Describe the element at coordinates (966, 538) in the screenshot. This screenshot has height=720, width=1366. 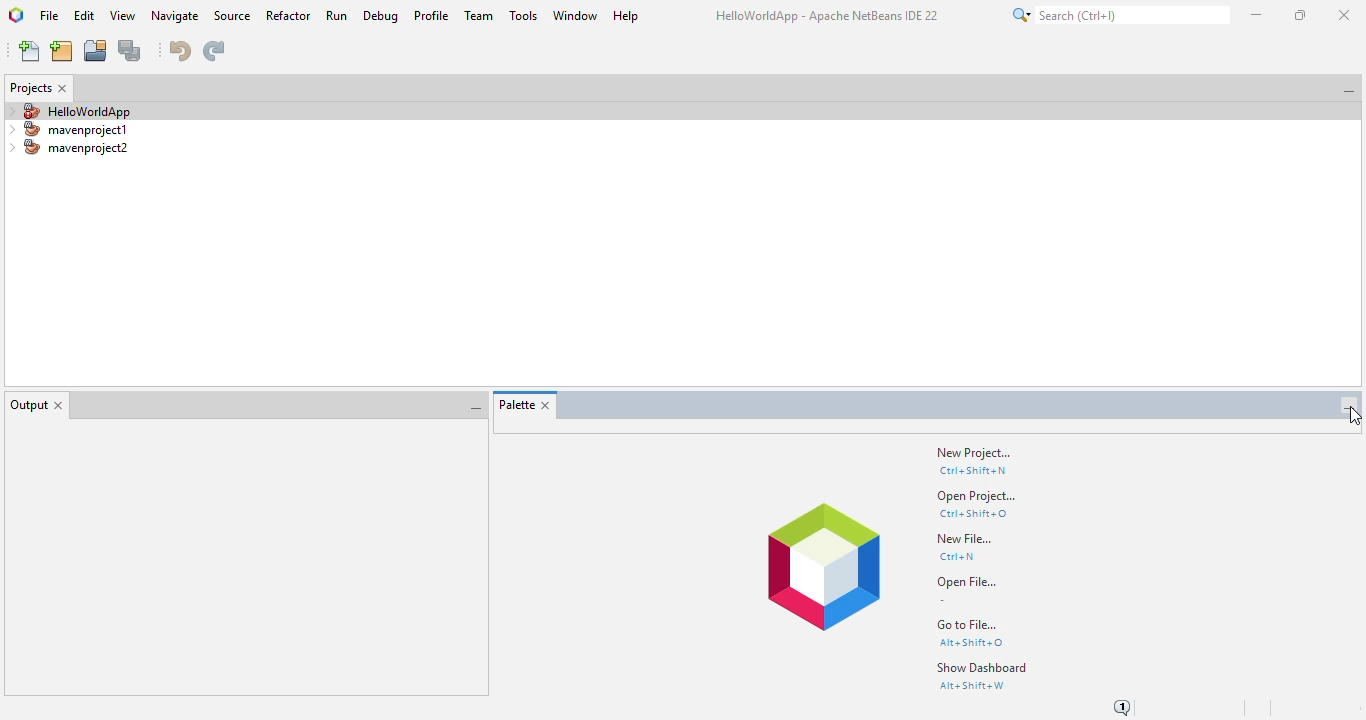
I see `new file` at that location.